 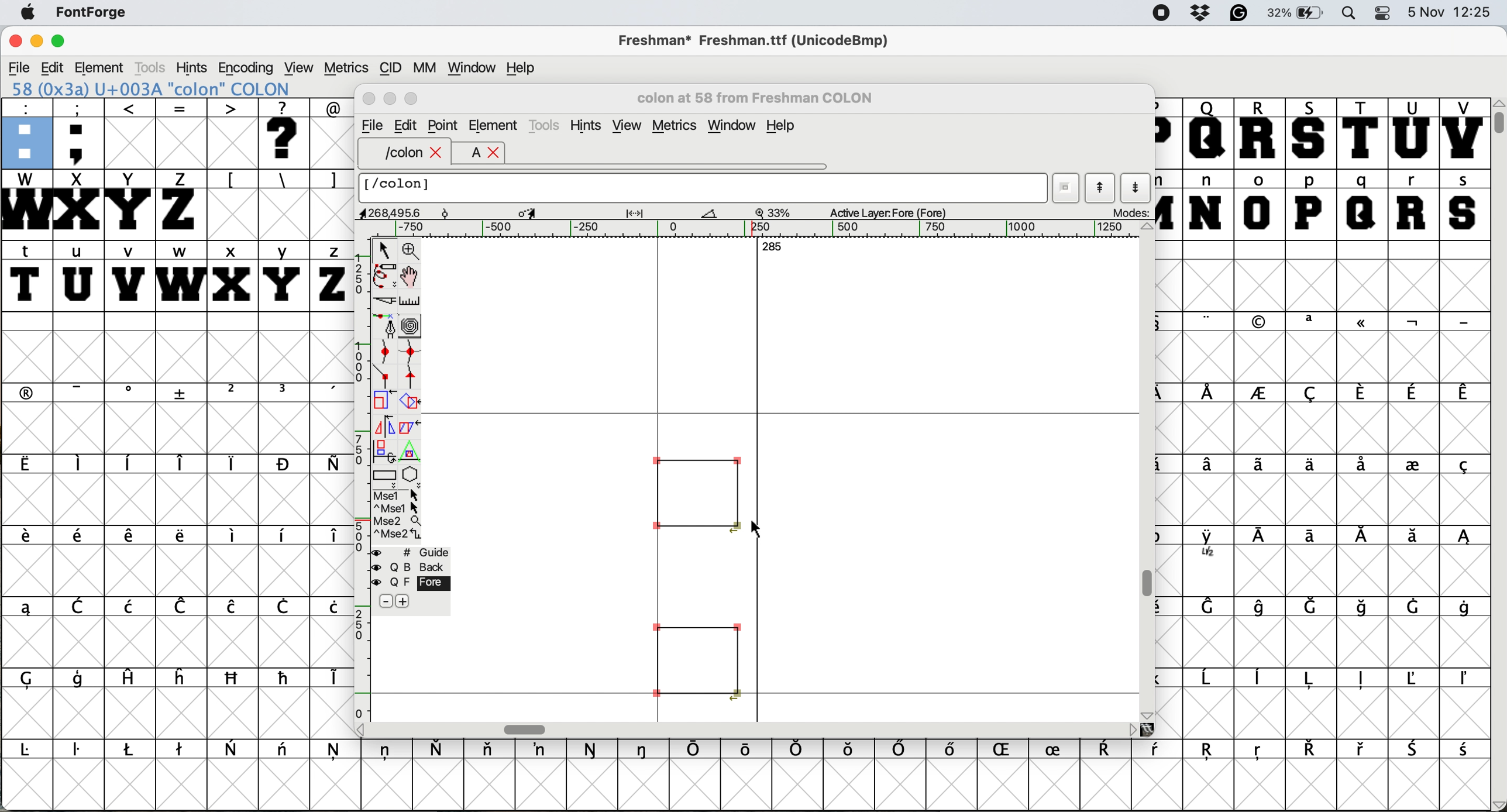 What do you see at coordinates (180, 536) in the screenshot?
I see `symbol` at bounding box center [180, 536].